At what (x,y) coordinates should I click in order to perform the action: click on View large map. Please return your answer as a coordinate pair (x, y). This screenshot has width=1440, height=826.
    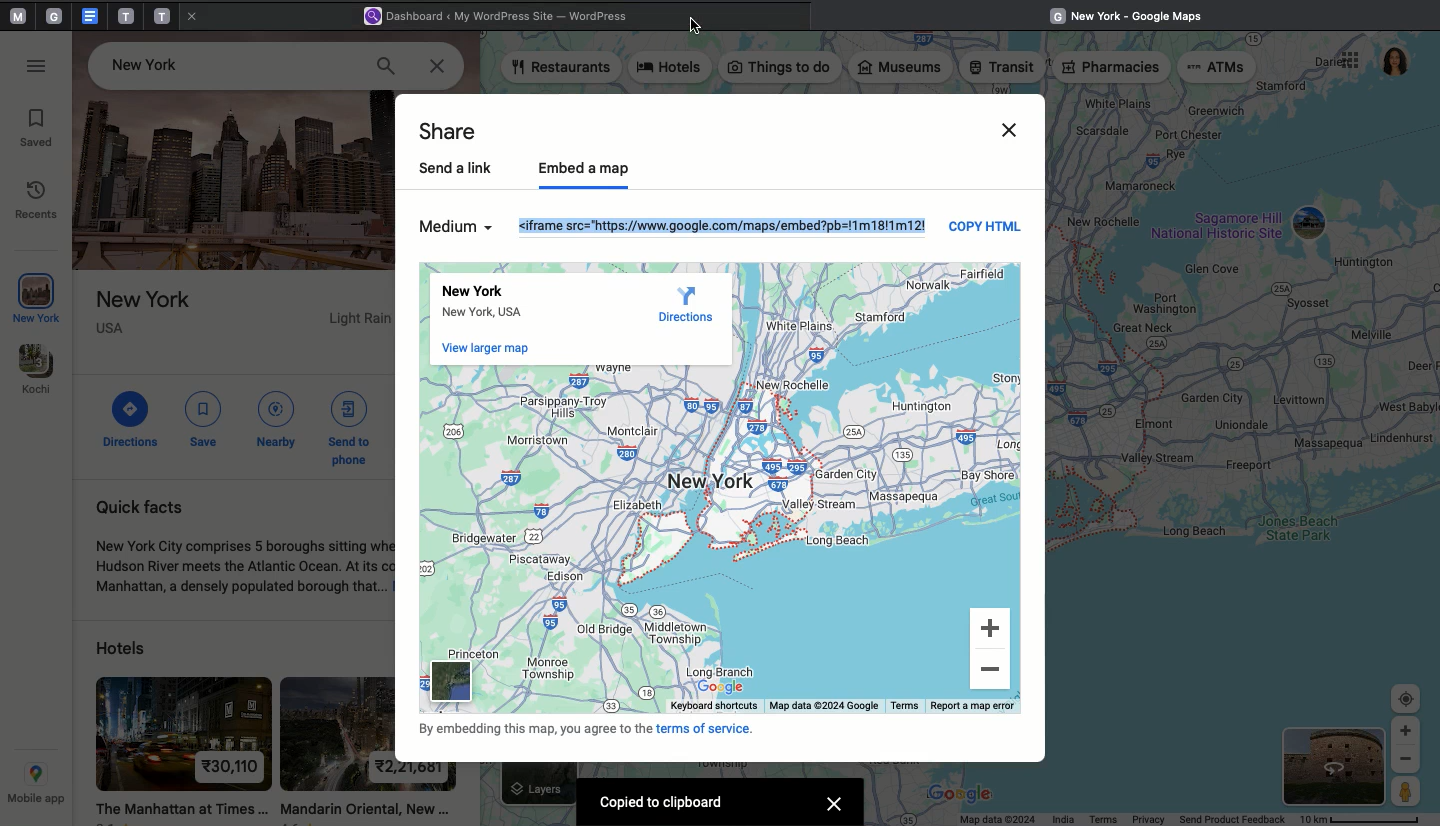
    Looking at the image, I should click on (491, 351).